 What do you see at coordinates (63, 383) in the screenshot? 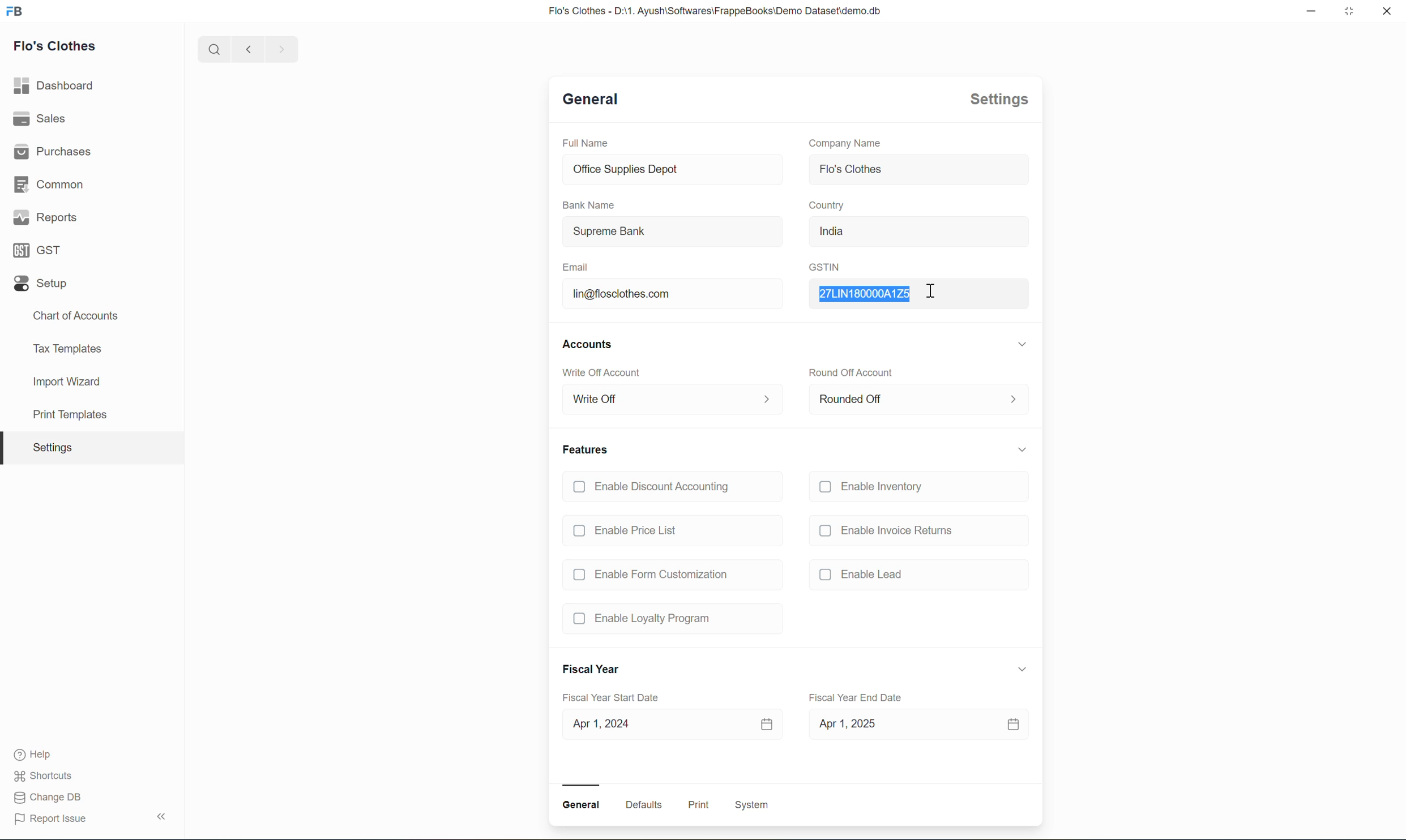
I see `Import Wizard` at bounding box center [63, 383].